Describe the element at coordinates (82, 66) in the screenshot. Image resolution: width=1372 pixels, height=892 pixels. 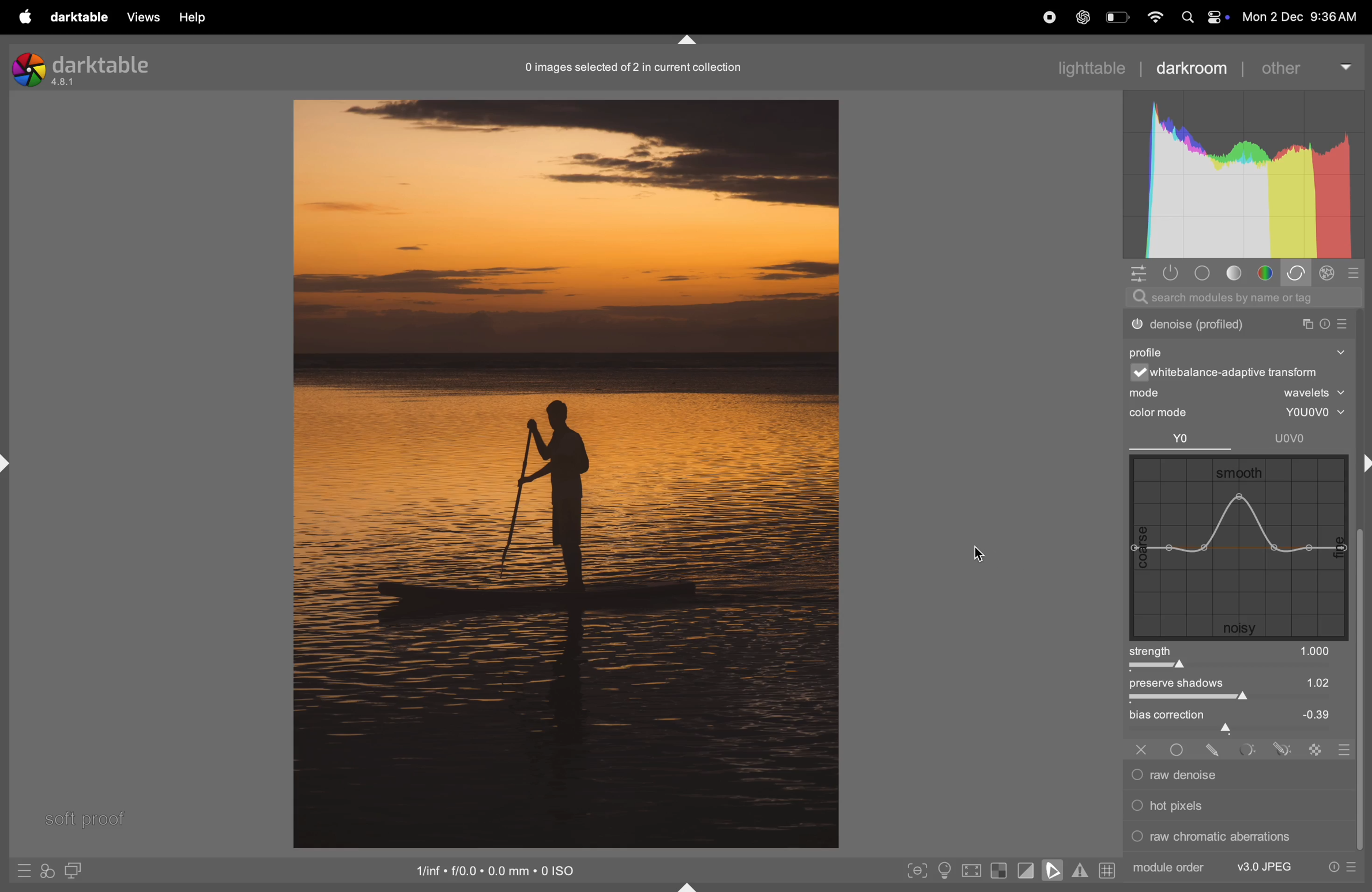
I see `darktable version` at that location.